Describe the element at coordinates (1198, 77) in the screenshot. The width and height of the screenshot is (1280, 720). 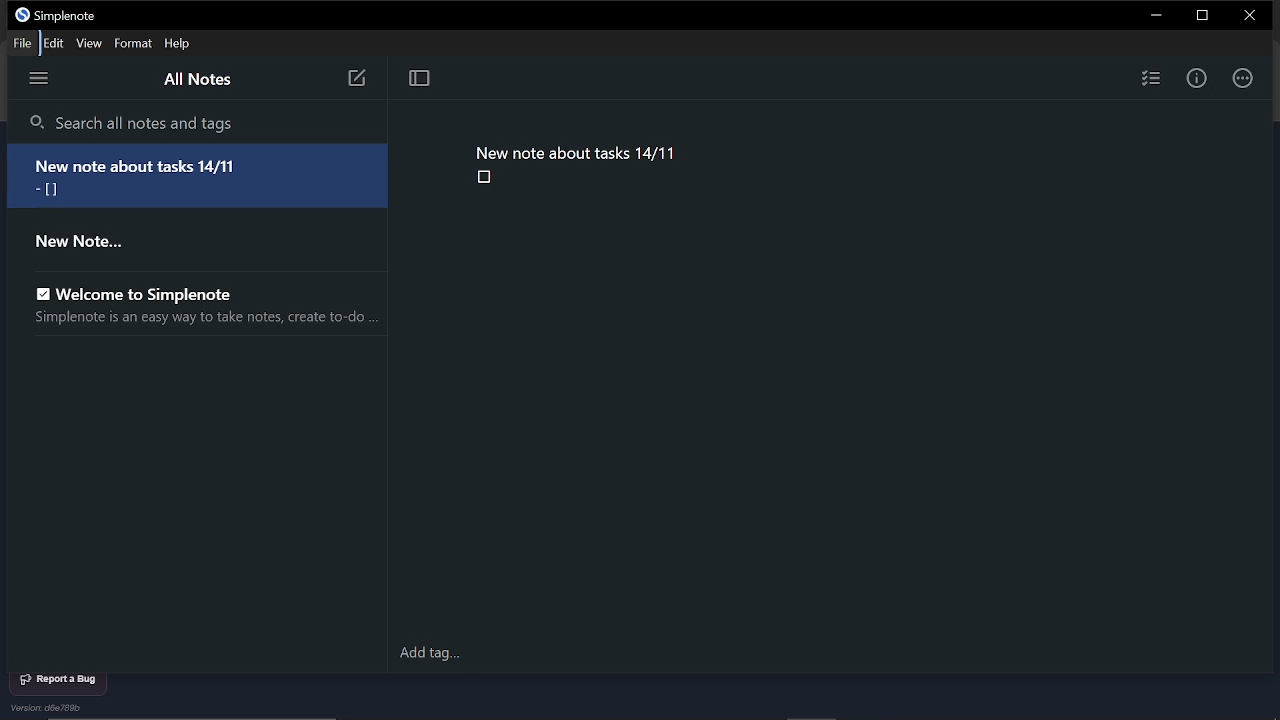
I see `Info` at that location.